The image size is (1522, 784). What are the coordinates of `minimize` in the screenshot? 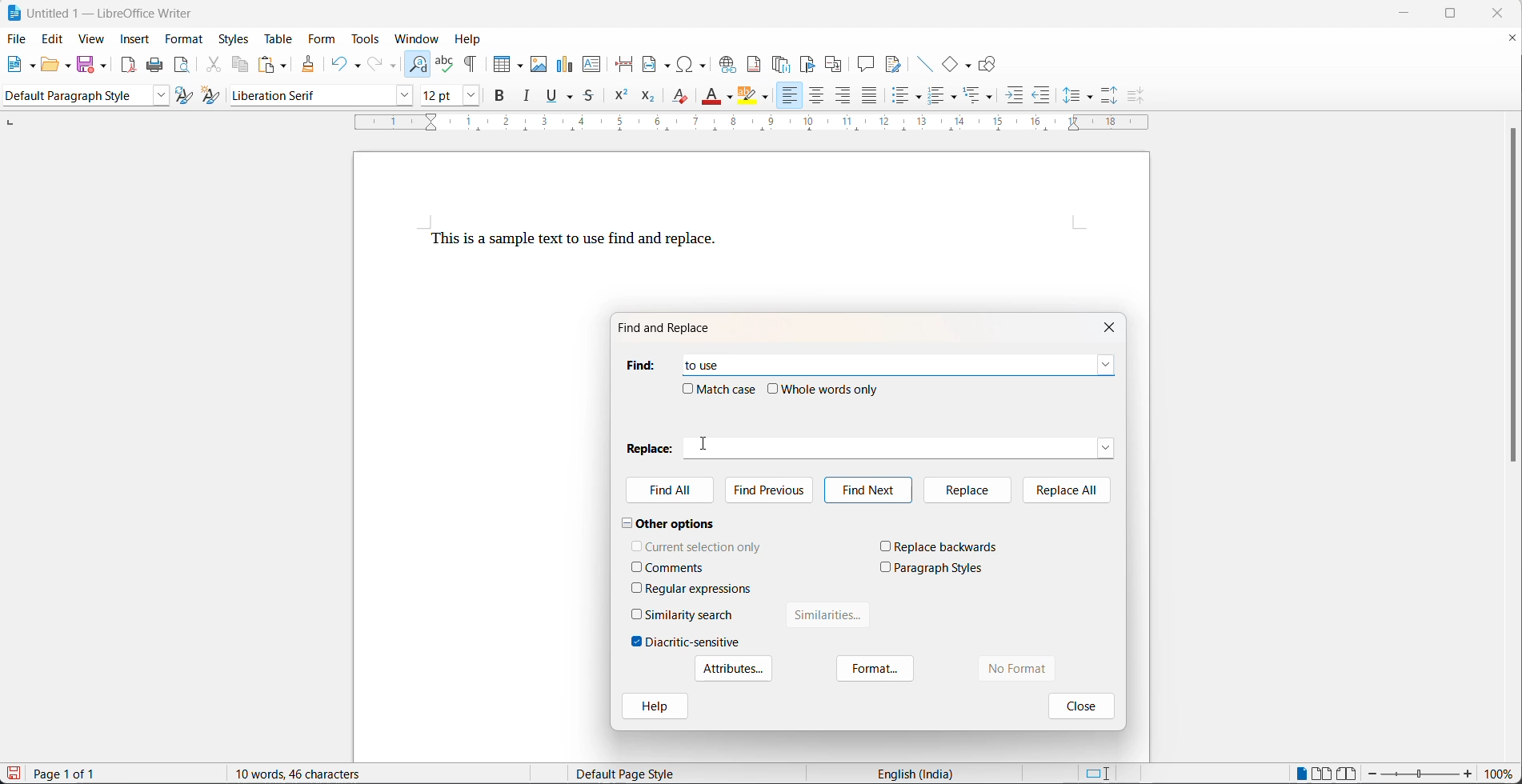 It's located at (1412, 12).